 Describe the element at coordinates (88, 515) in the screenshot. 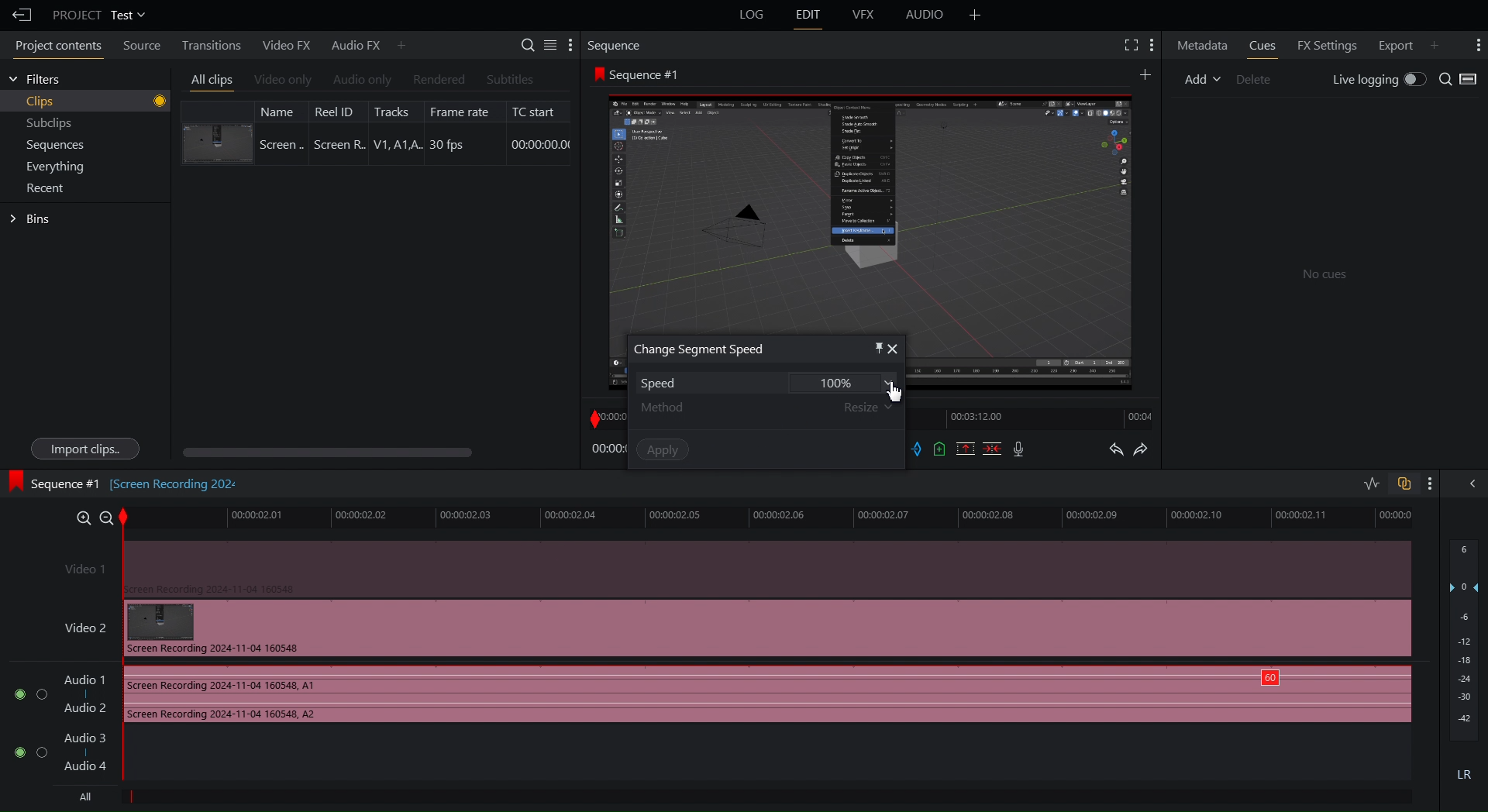

I see `Zoom` at that location.